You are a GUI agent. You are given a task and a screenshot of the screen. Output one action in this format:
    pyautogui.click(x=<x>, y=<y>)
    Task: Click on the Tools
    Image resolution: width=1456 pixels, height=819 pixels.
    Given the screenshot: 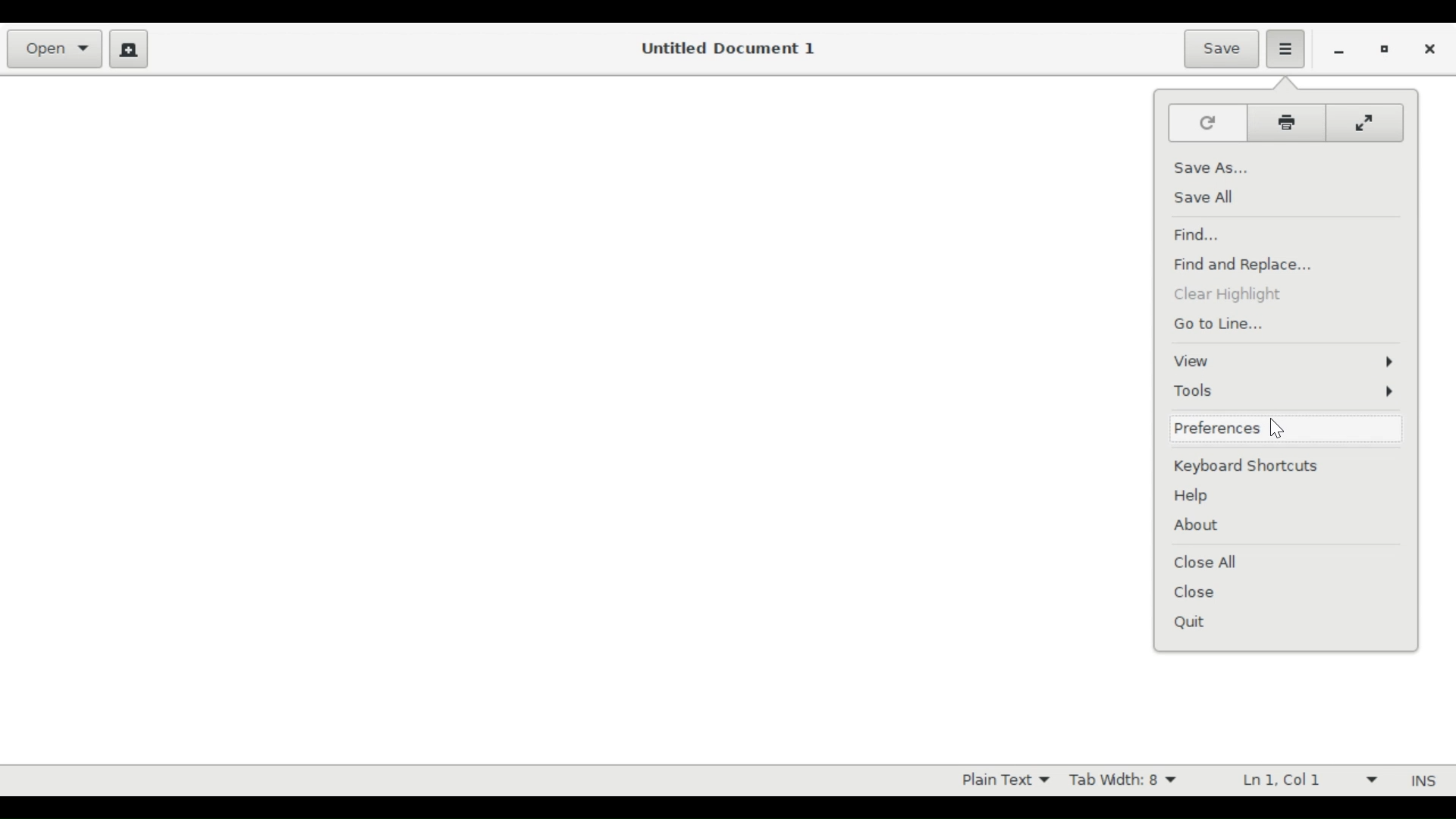 What is the action you would take?
    pyautogui.click(x=1289, y=391)
    